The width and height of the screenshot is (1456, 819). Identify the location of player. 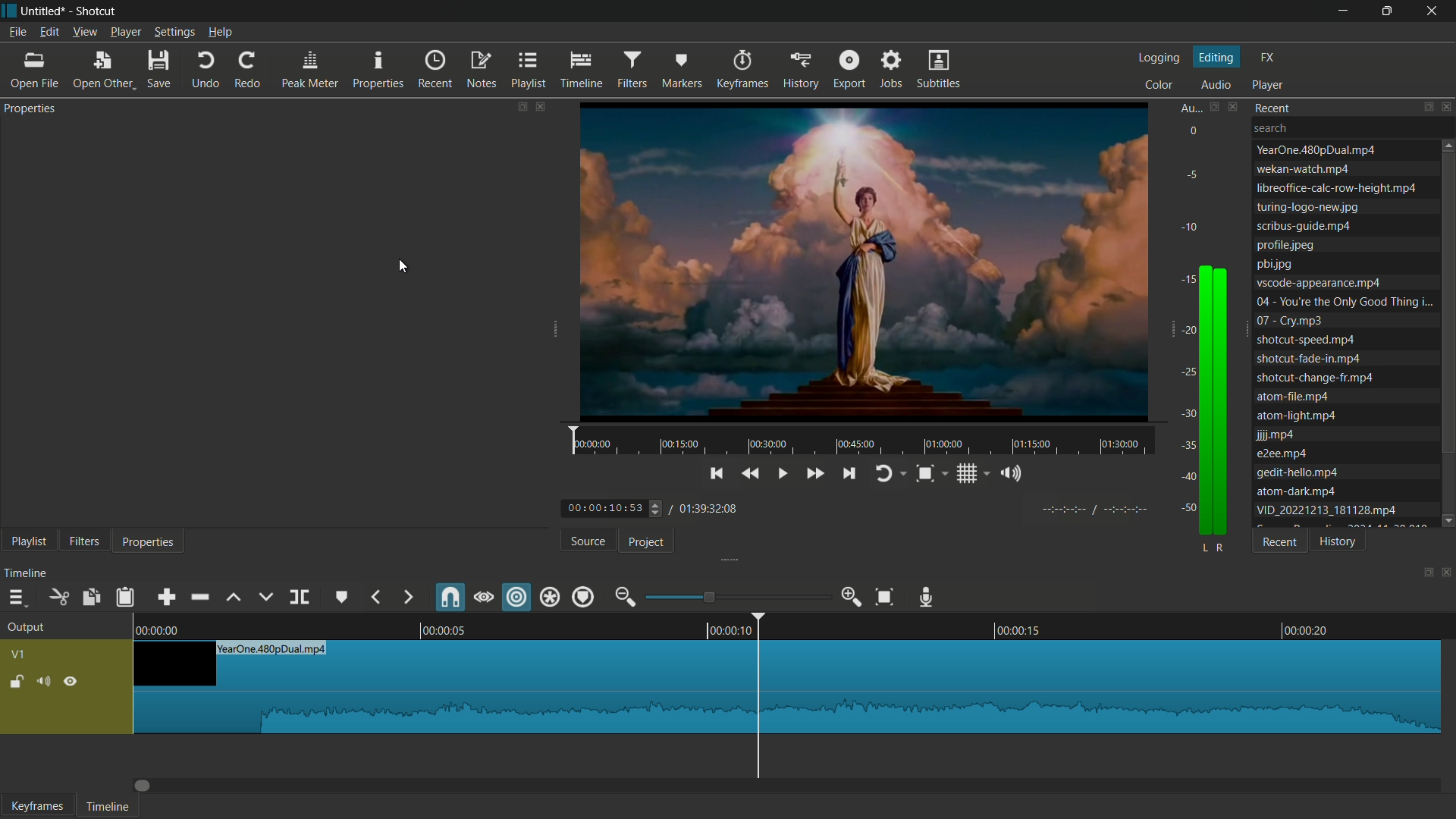
(1267, 84).